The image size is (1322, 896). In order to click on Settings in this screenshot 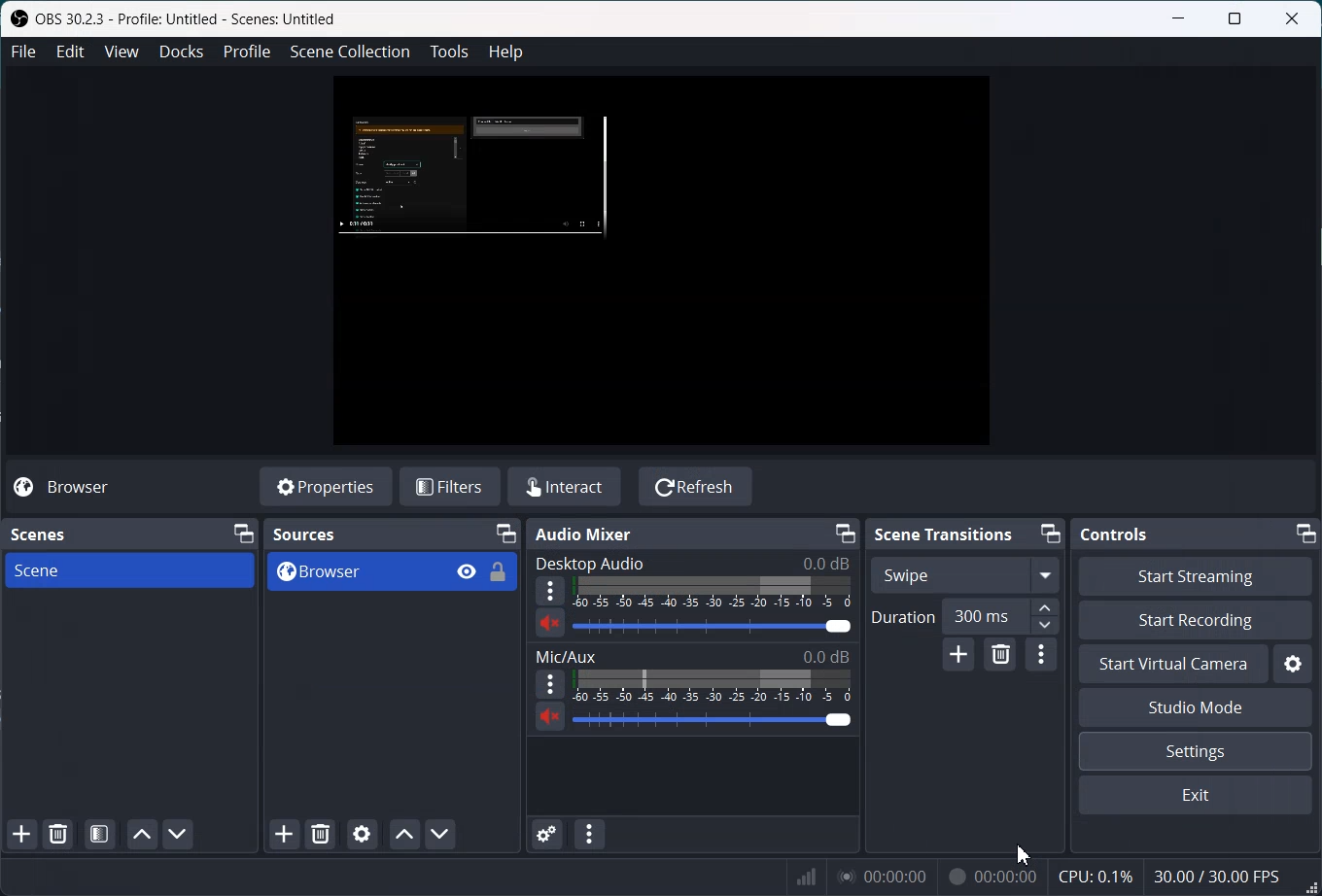, I will do `click(1292, 664)`.